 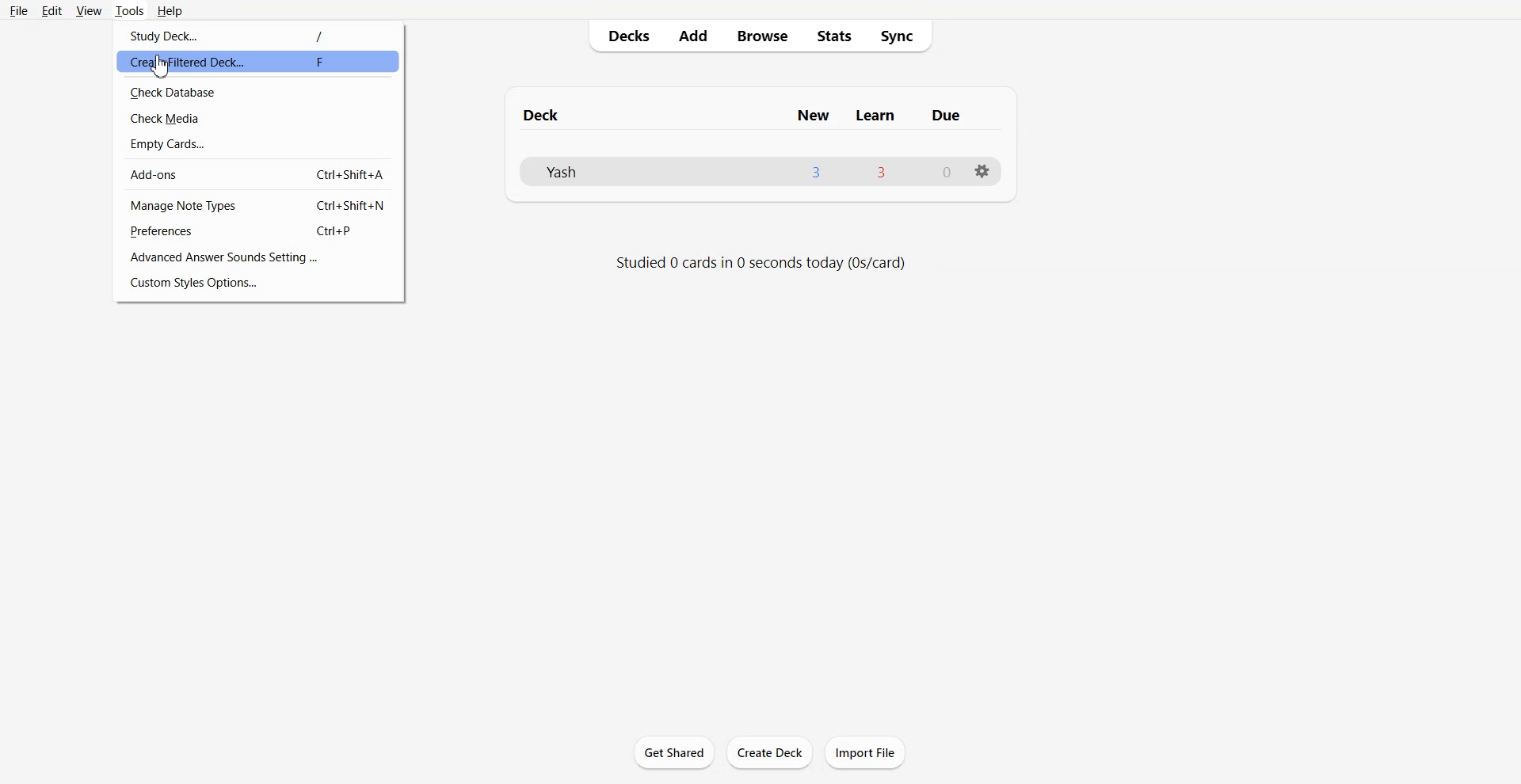 What do you see at coordinates (982, 172) in the screenshot?
I see `Settings` at bounding box center [982, 172].